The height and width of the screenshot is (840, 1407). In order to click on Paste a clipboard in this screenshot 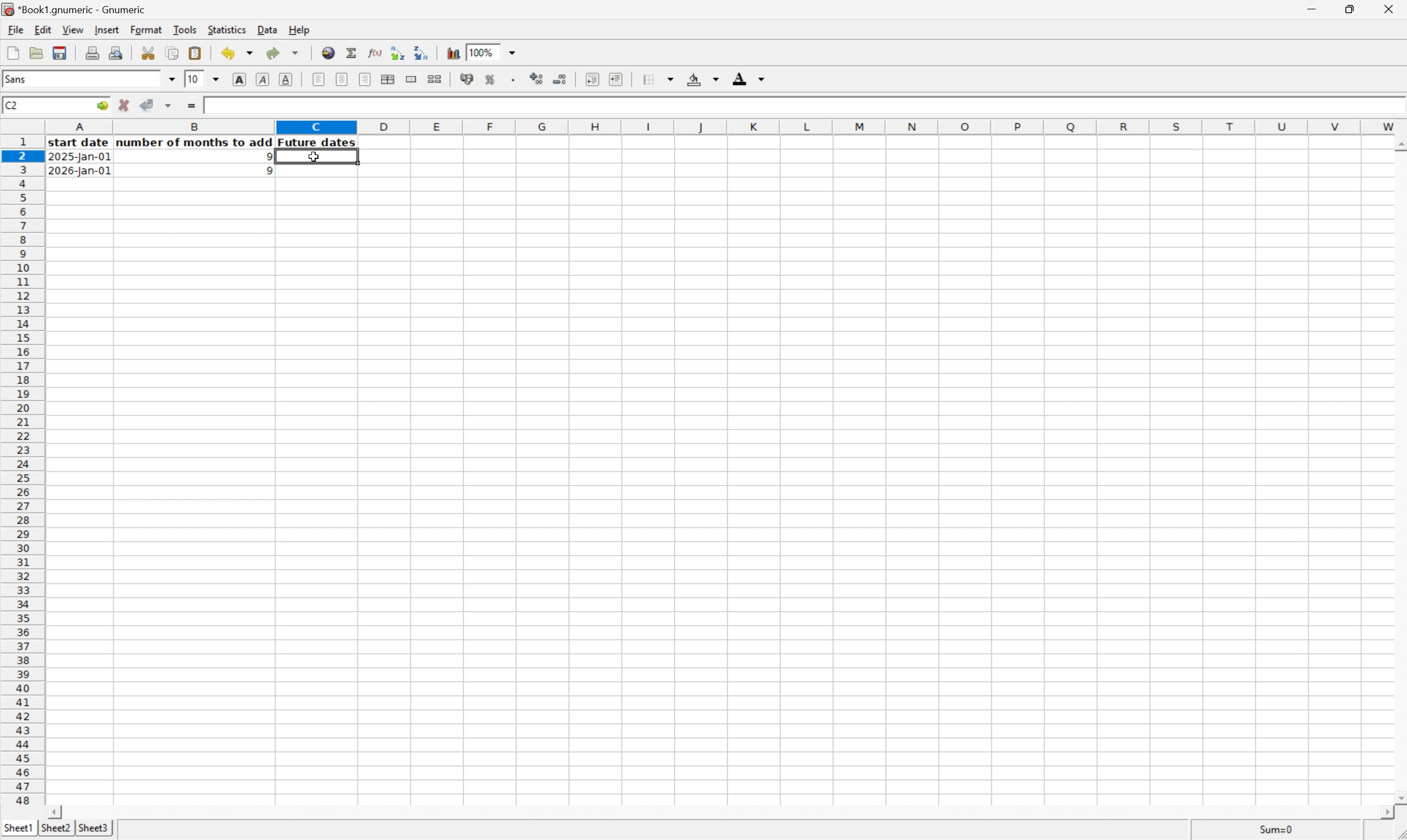, I will do `click(196, 53)`.